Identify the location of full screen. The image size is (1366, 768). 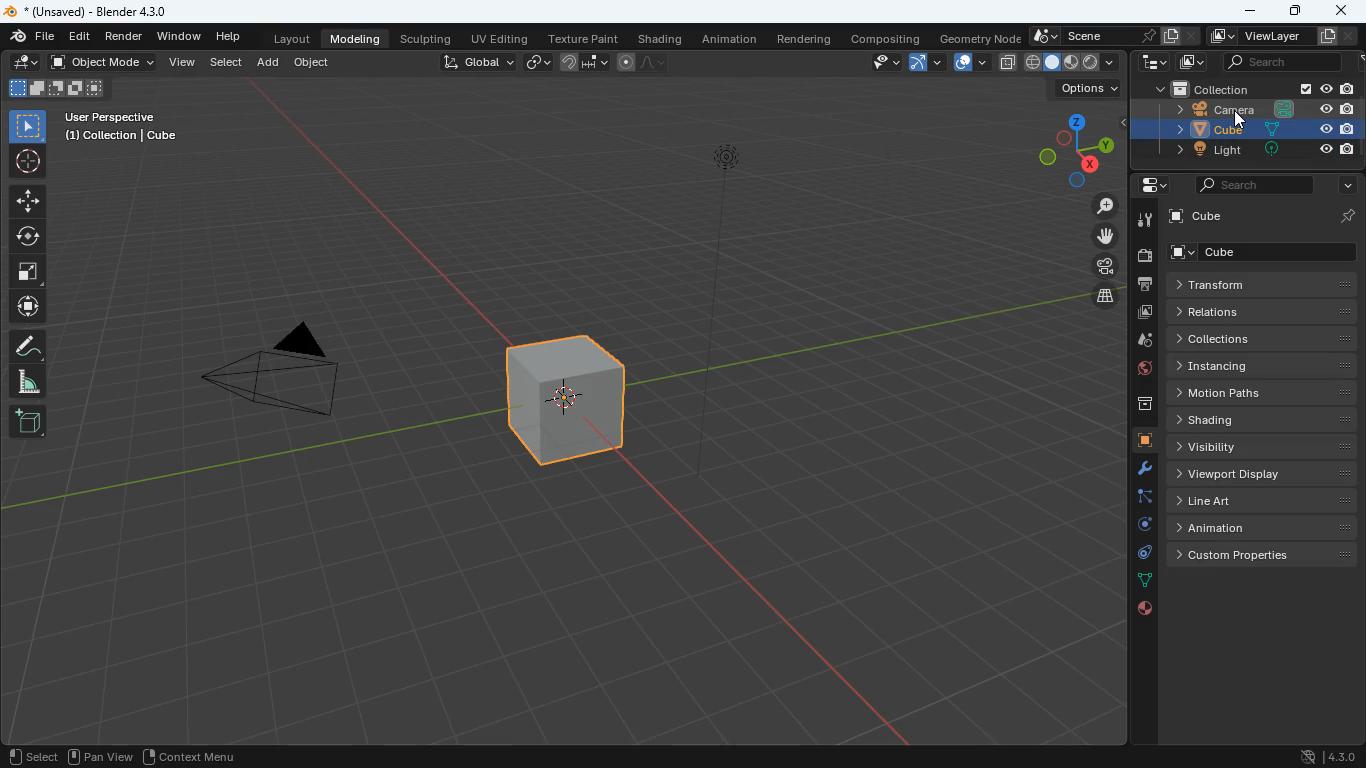
(30, 273).